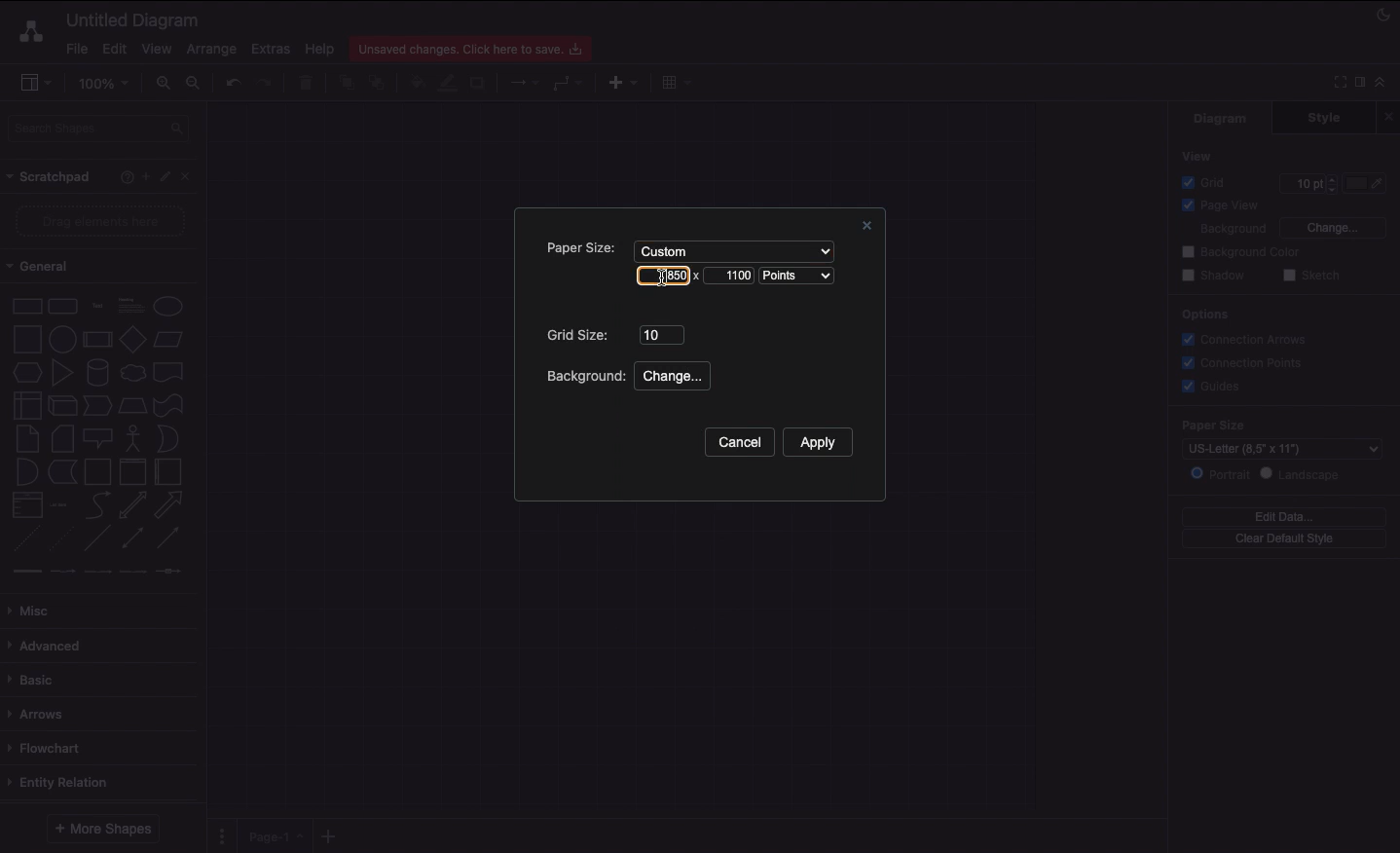 Image resolution: width=1400 pixels, height=853 pixels. I want to click on General , so click(49, 267).